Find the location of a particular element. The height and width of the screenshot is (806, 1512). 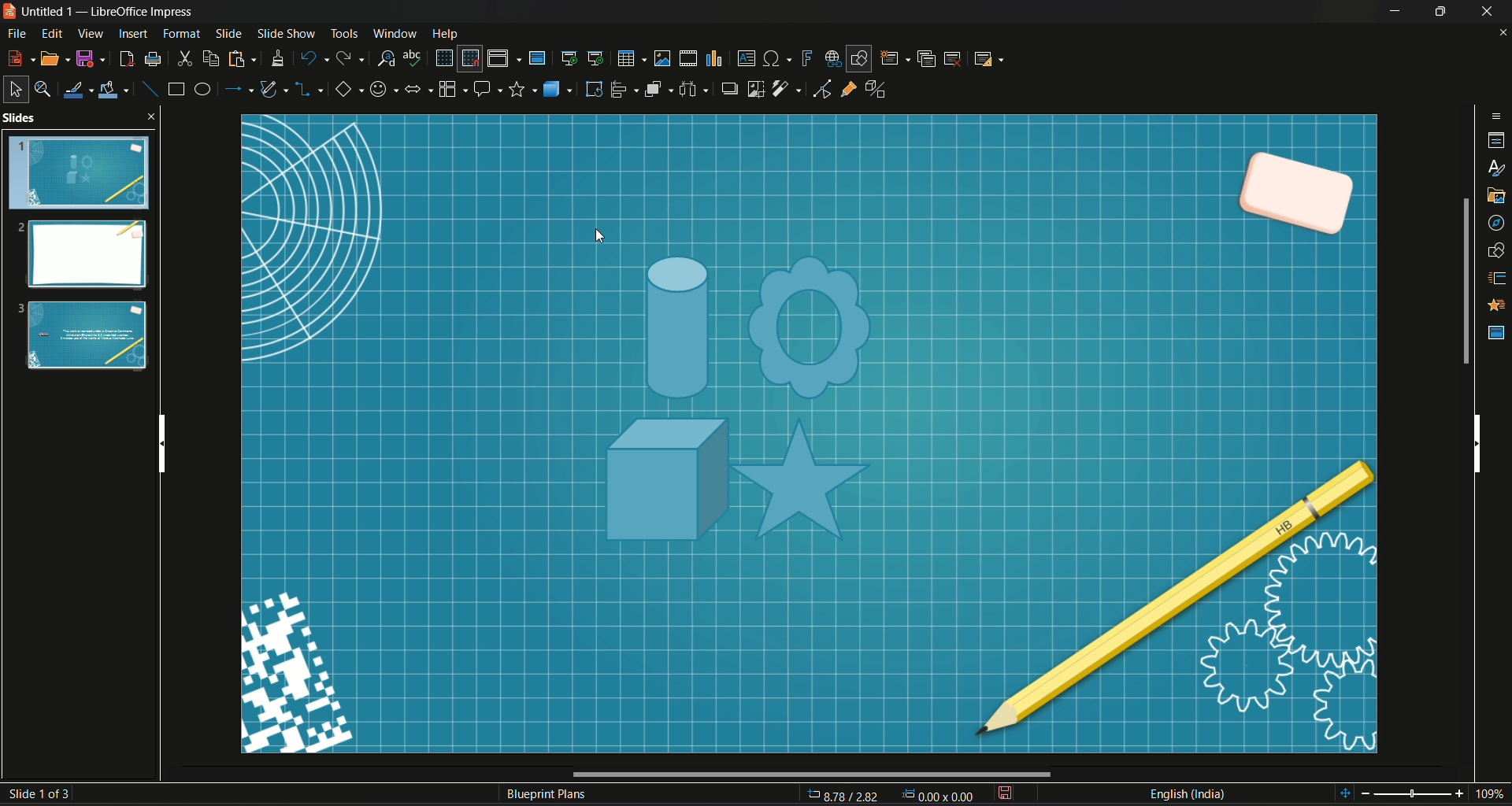

Animation is located at coordinates (1498, 305).